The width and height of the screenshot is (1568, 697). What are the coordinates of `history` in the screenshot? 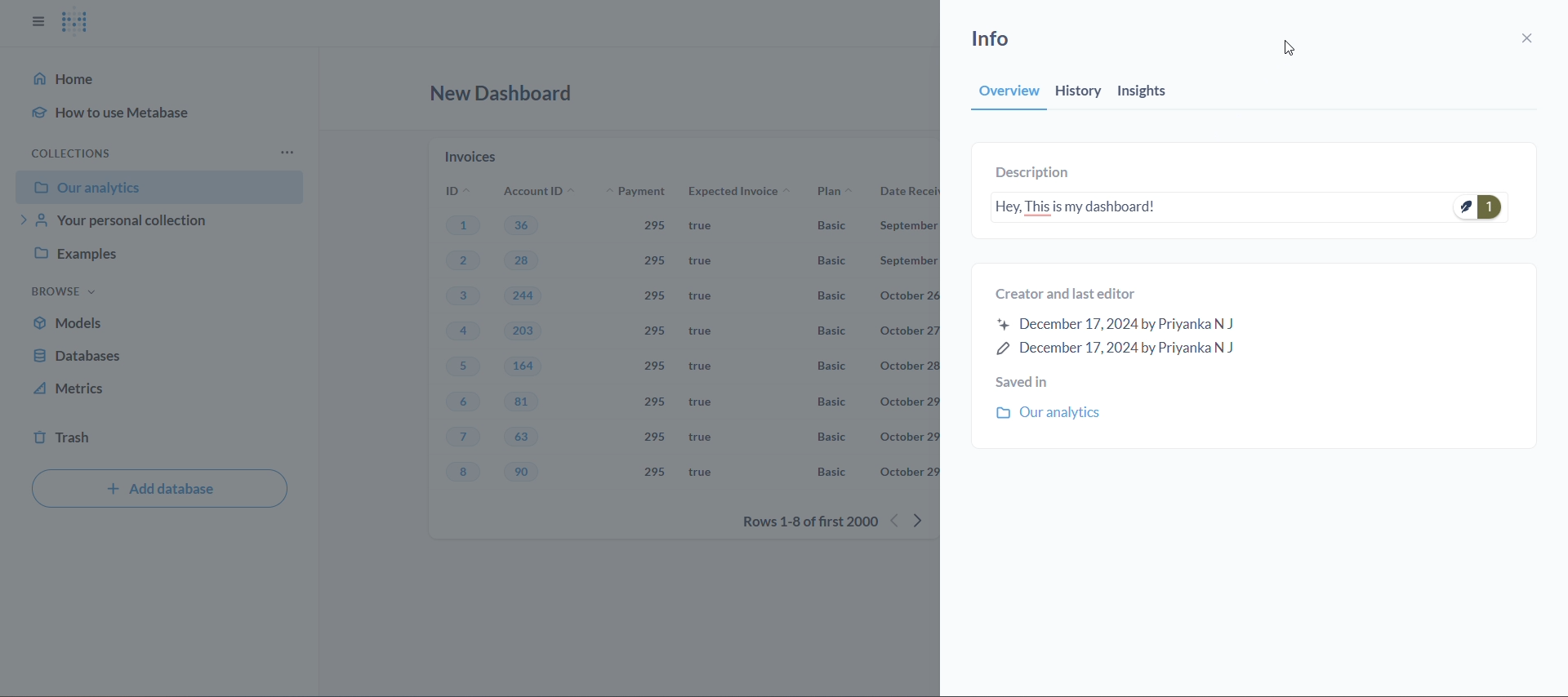 It's located at (1080, 93).